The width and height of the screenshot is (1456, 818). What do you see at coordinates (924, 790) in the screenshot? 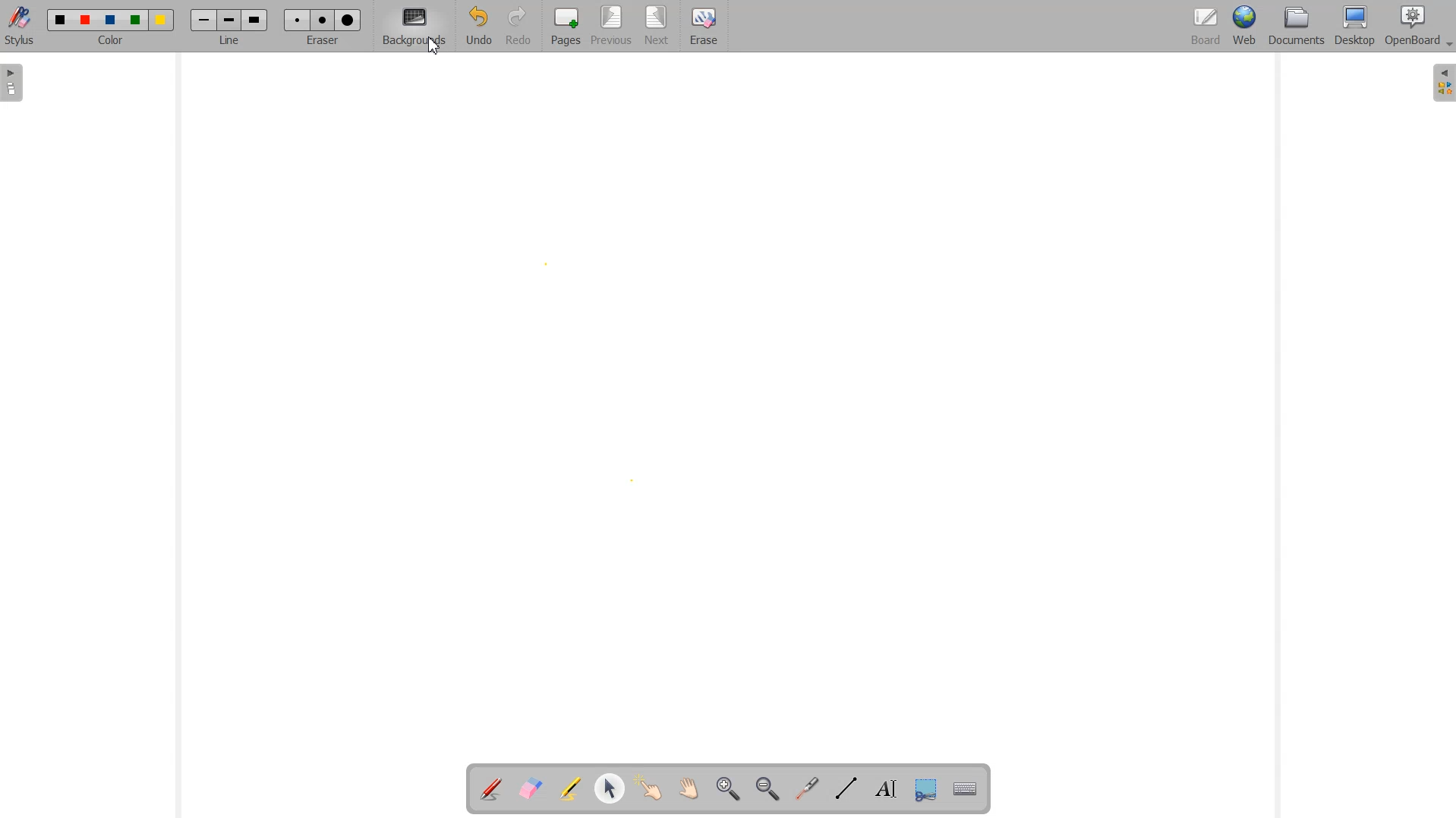
I see `Capture part of the screen` at bounding box center [924, 790].